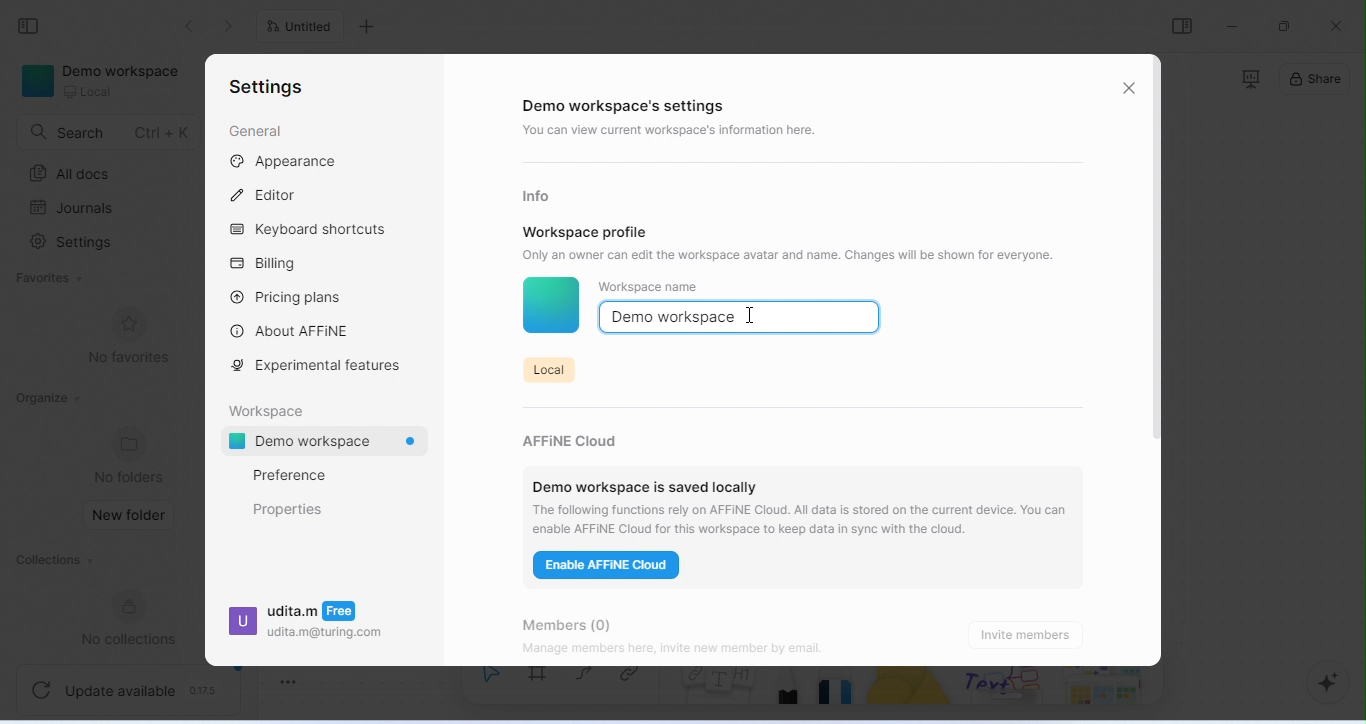 This screenshot has width=1366, height=724. Describe the element at coordinates (285, 162) in the screenshot. I see `appearance` at that location.